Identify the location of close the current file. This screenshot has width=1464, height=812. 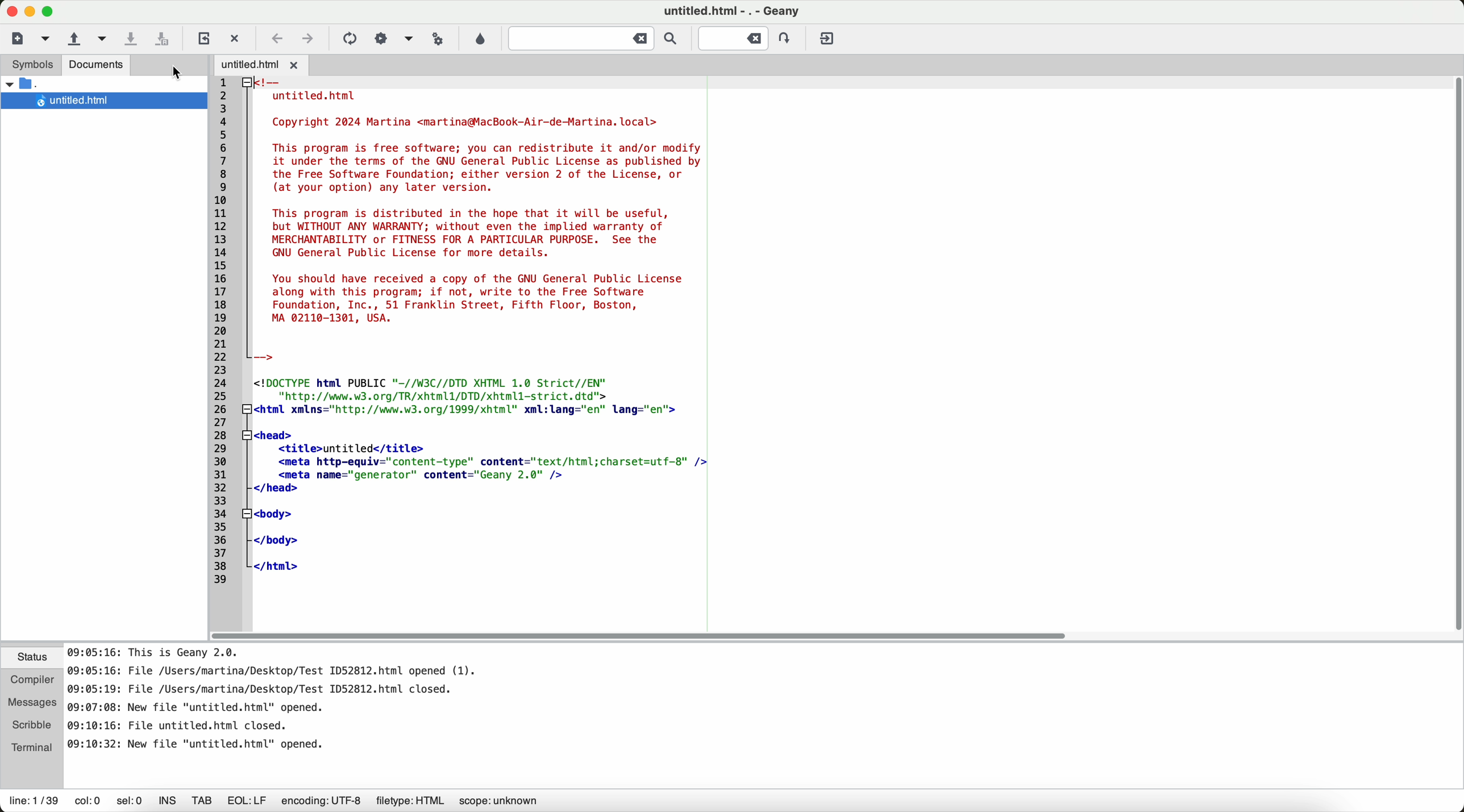
(232, 39).